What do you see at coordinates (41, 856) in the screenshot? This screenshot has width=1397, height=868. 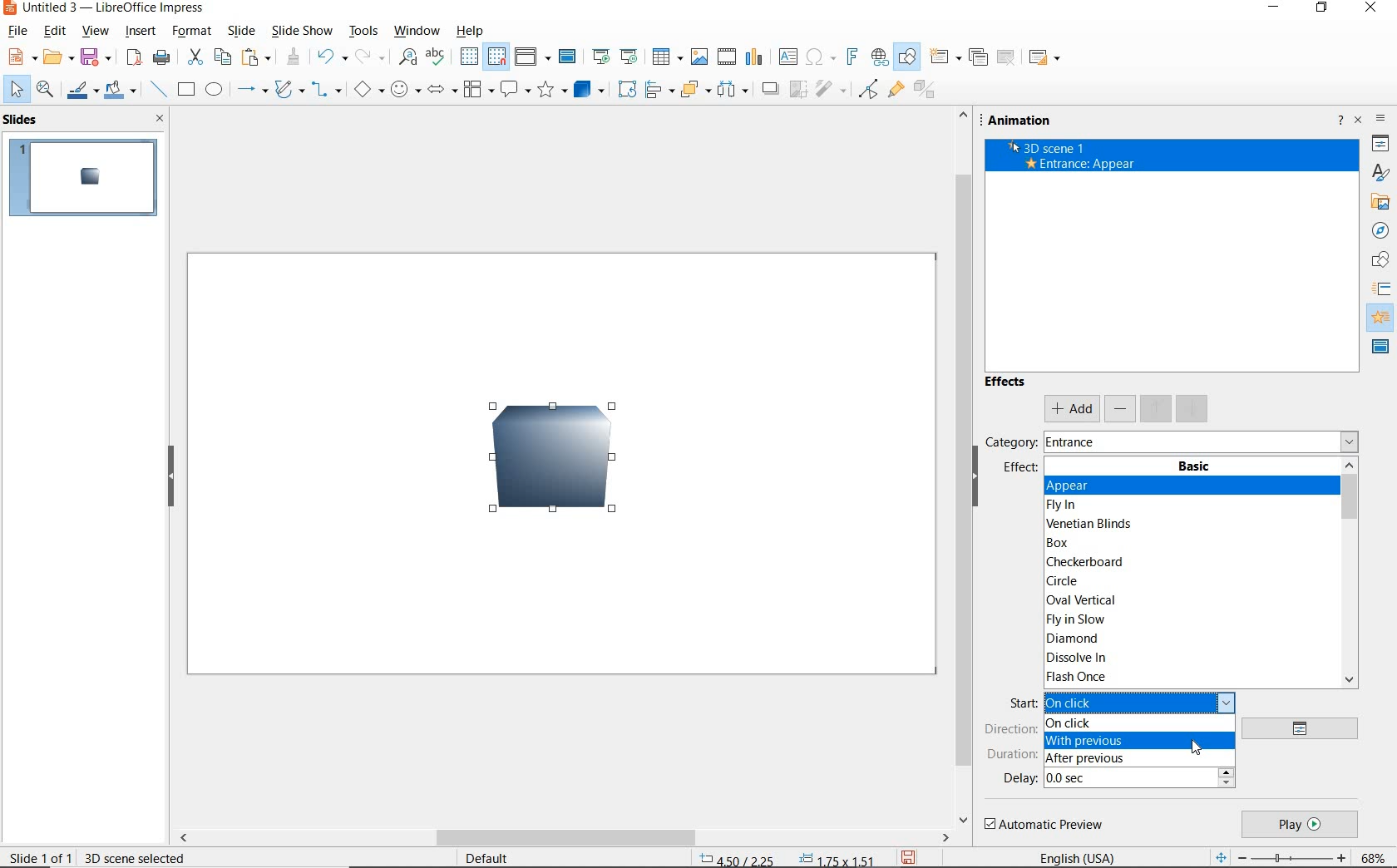 I see `slide 1 of 1` at bounding box center [41, 856].